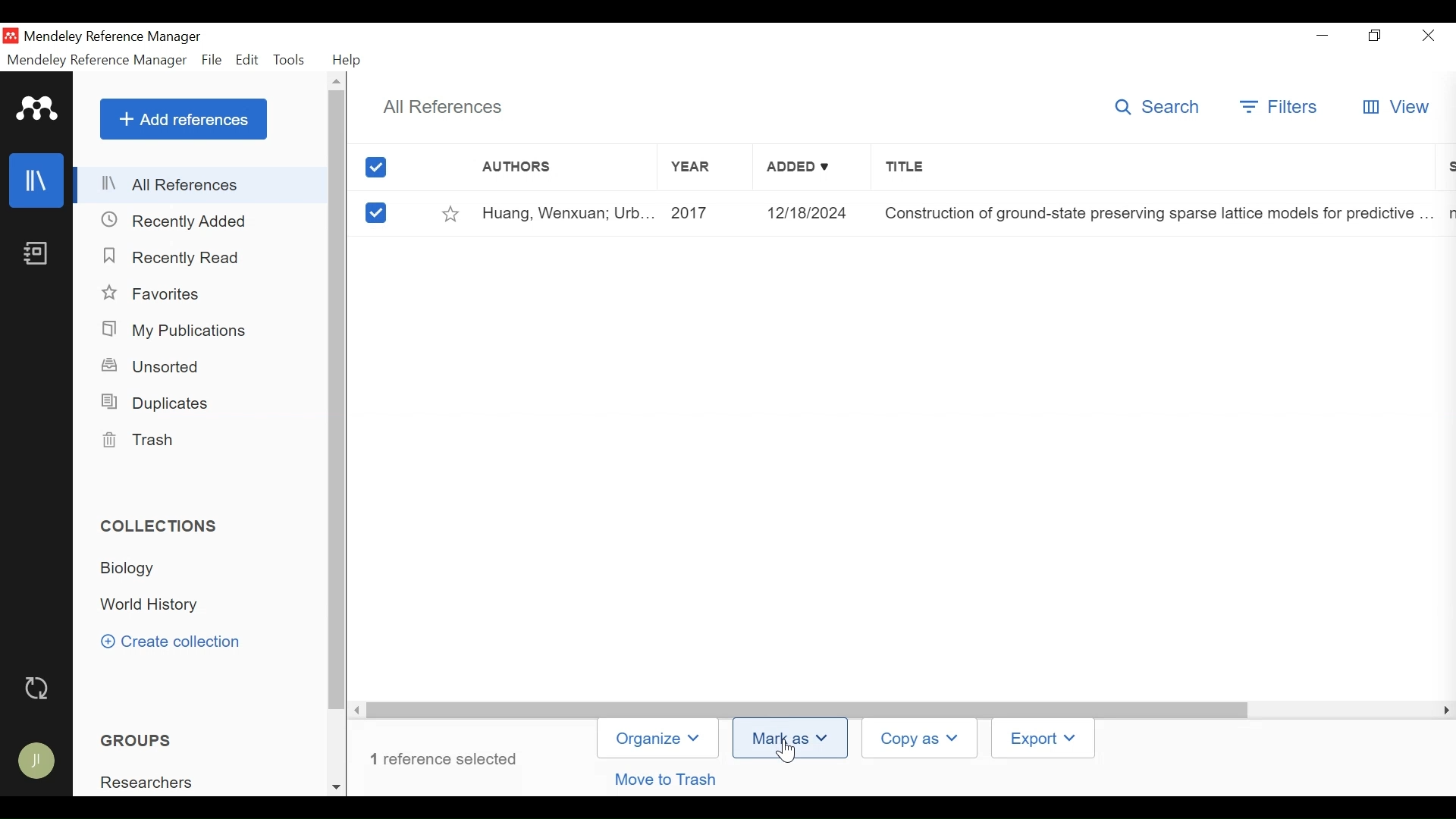 The width and height of the screenshot is (1456, 819). Describe the element at coordinates (138, 739) in the screenshot. I see `Groups` at that location.